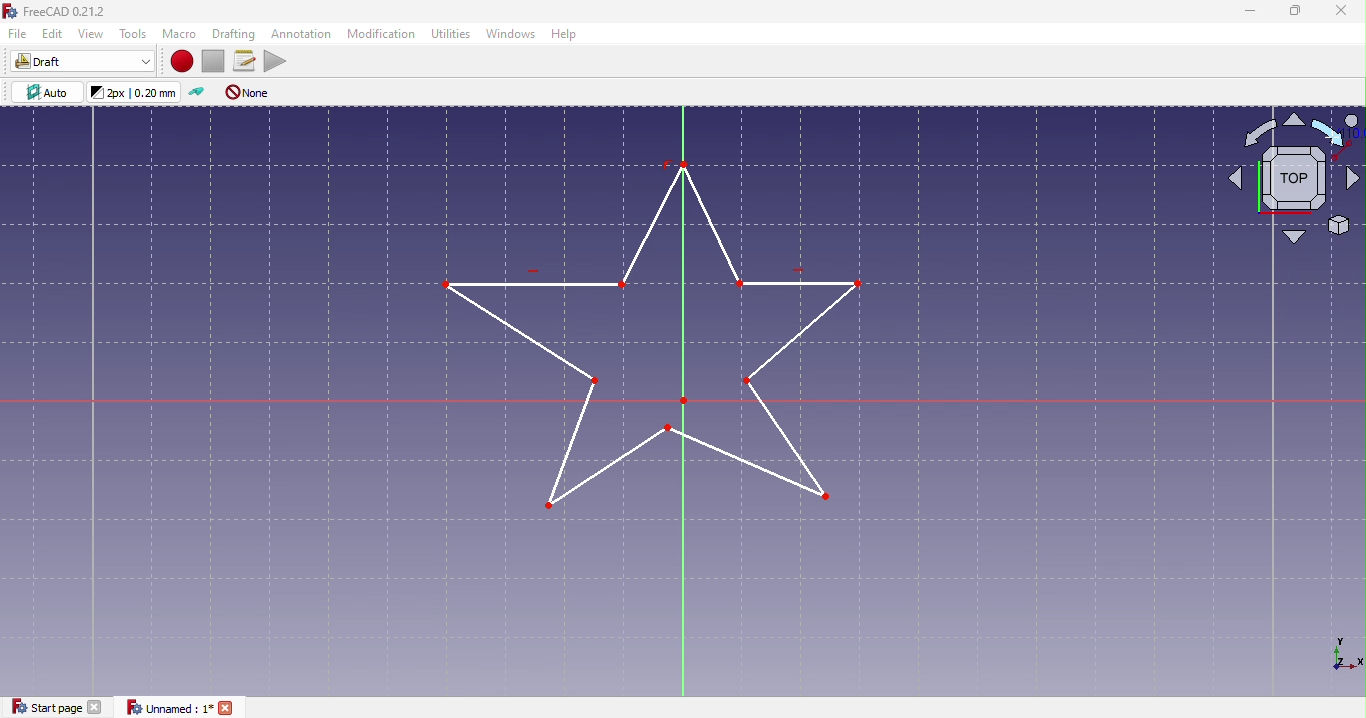  I want to click on Current working plane, so click(49, 93).